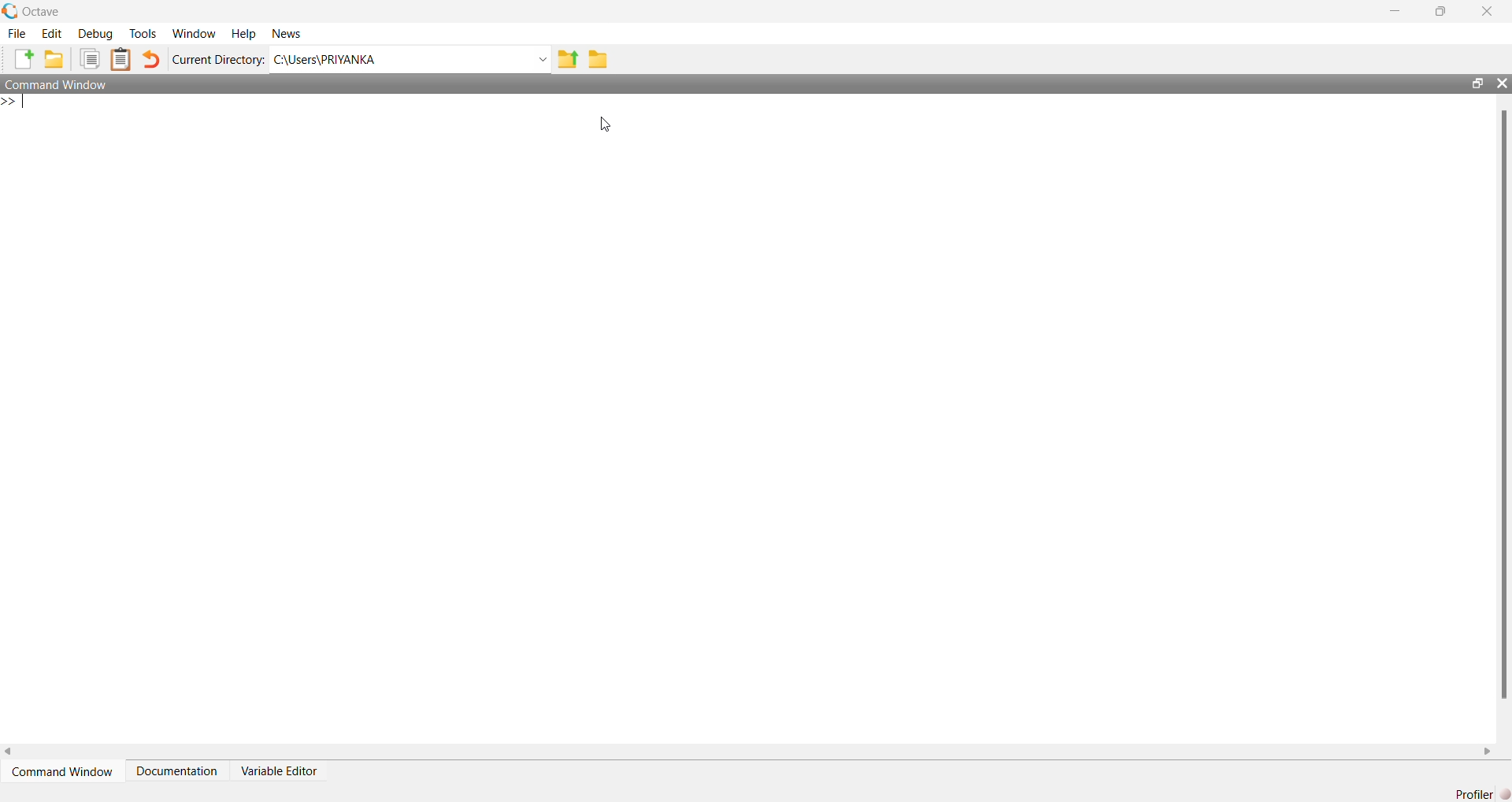 The image size is (1512, 802). Describe the element at coordinates (1488, 11) in the screenshot. I see `close` at that location.